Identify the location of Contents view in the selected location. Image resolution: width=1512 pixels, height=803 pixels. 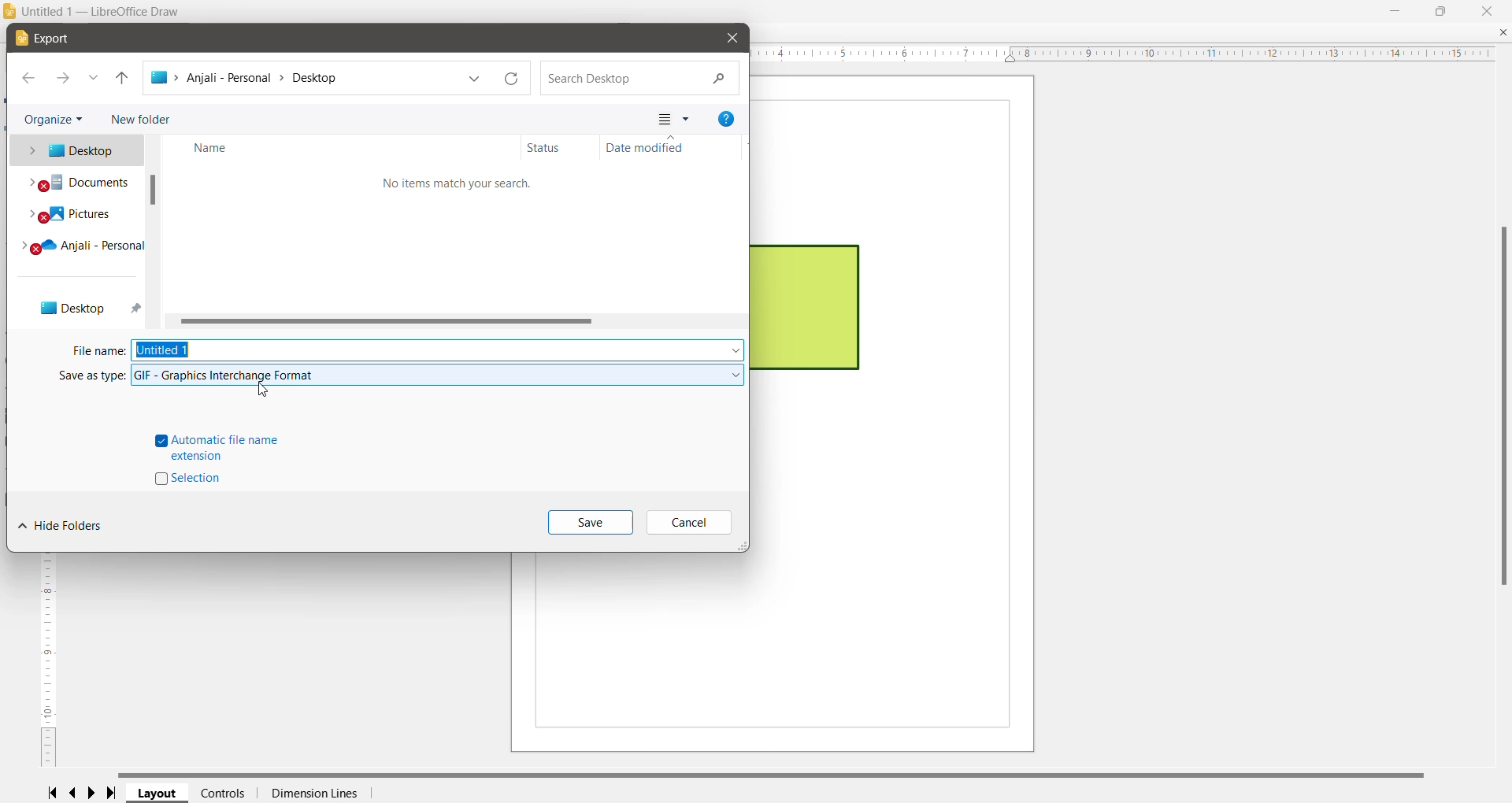
(461, 237).